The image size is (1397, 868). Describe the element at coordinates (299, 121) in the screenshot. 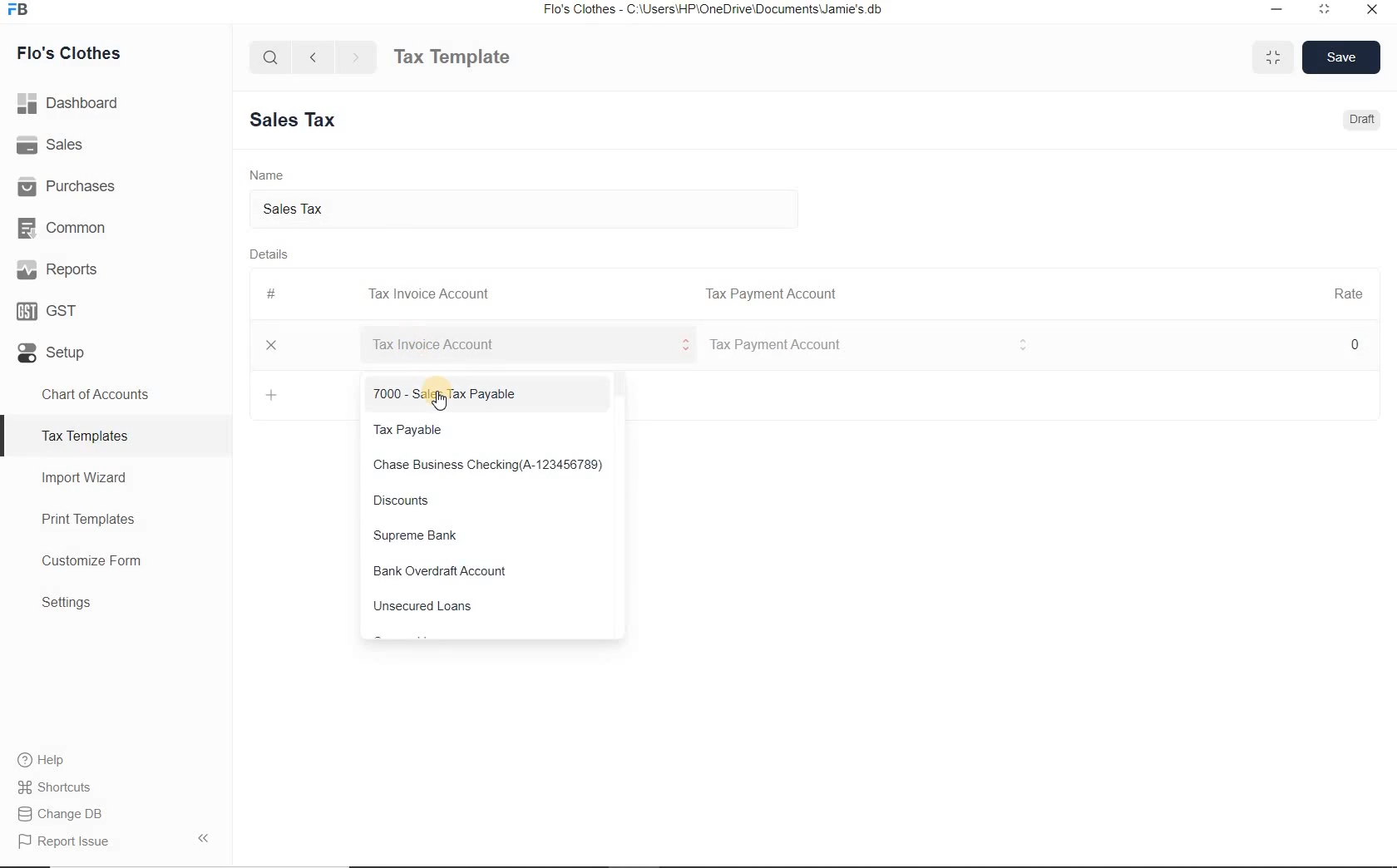

I see `New Entry` at that location.